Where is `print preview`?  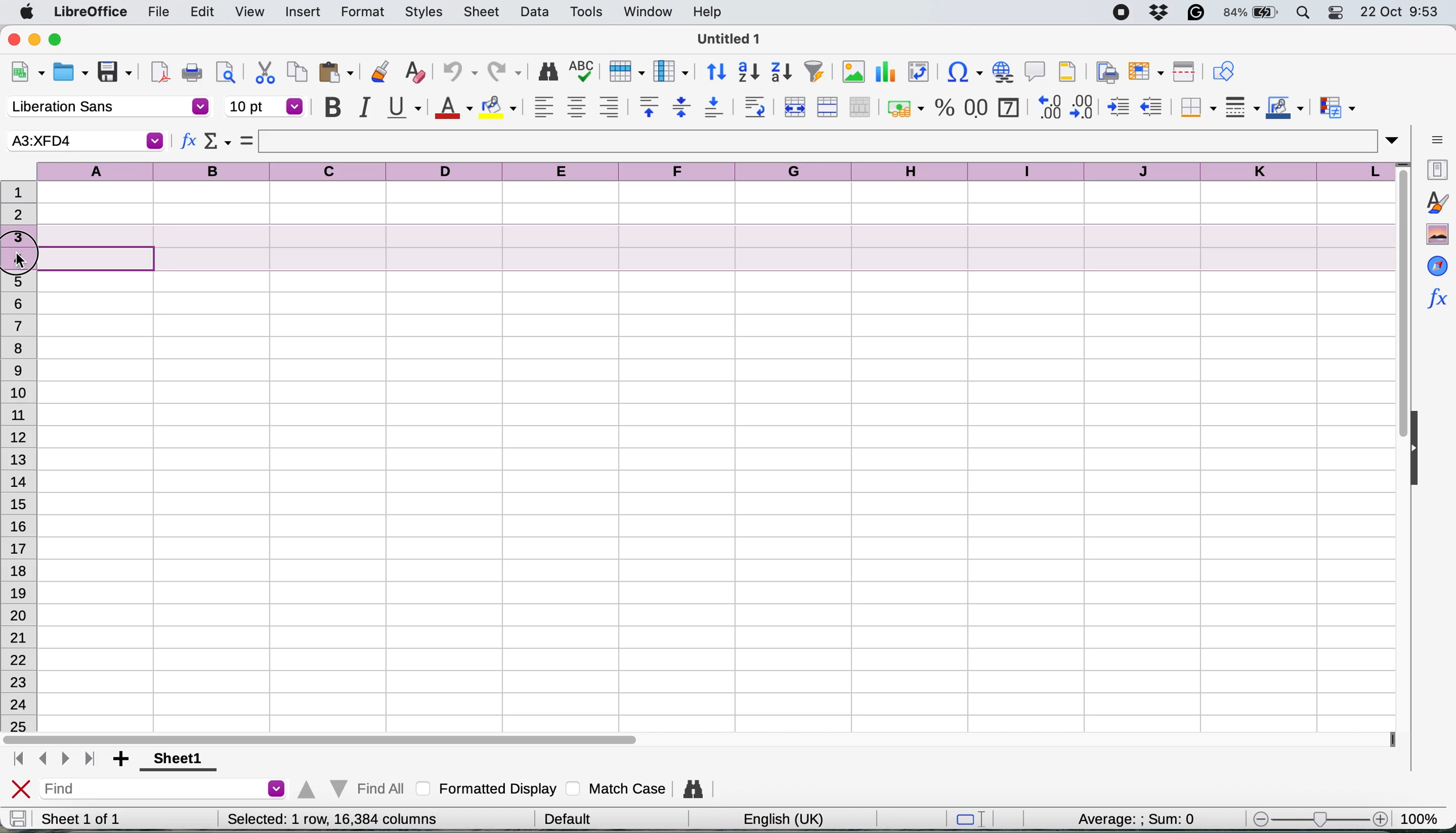
print preview is located at coordinates (223, 72).